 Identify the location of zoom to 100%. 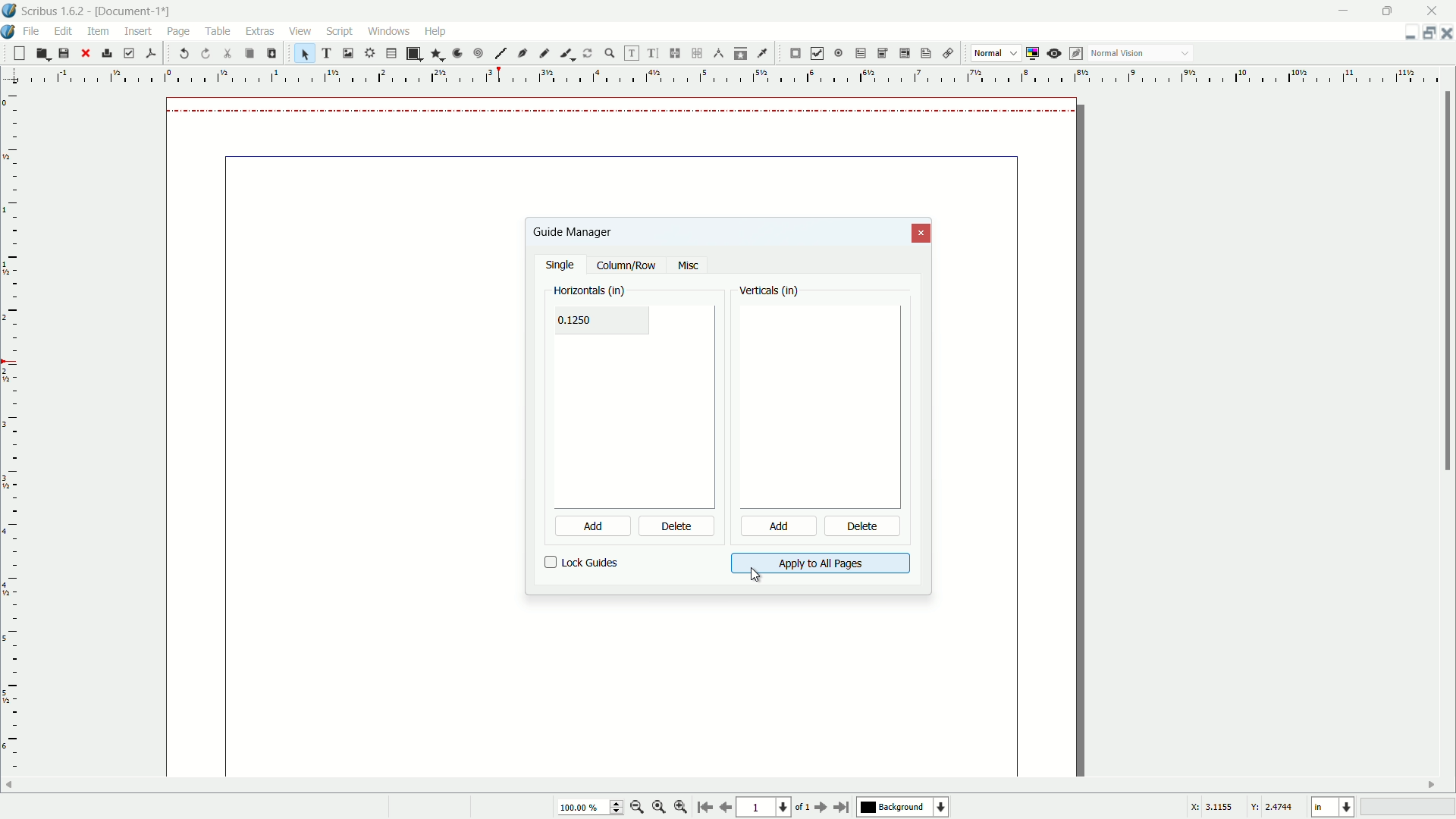
(659, 808).